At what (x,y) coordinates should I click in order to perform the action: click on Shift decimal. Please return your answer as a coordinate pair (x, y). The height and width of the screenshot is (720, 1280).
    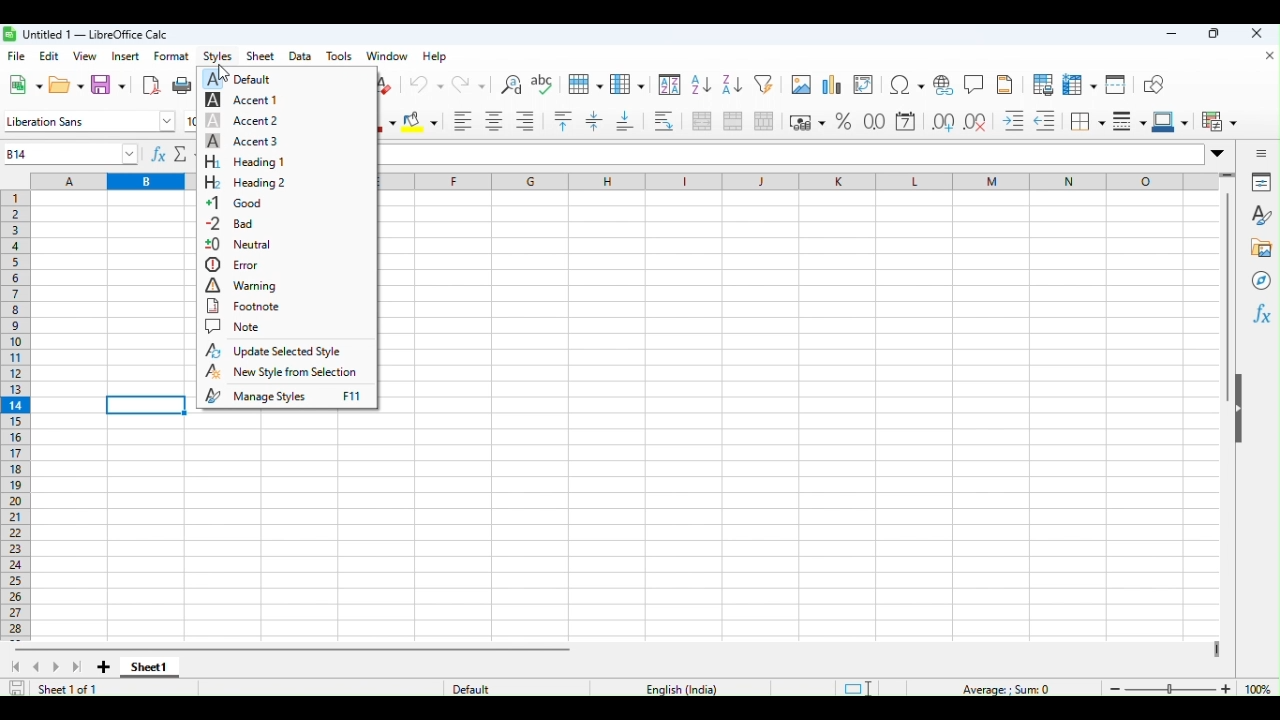
    Looking at the image, I should click on (940, 120).